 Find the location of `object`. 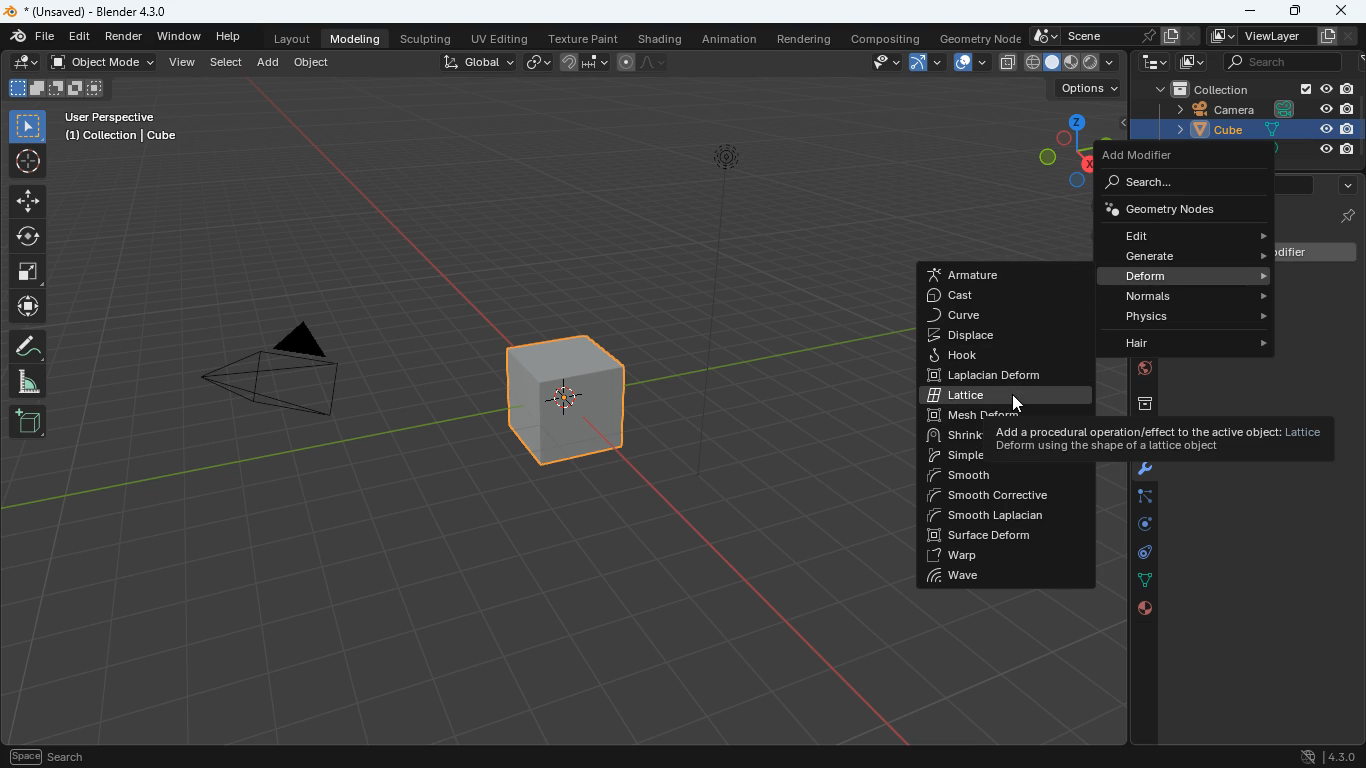

object is located at coordinates (311, 63).